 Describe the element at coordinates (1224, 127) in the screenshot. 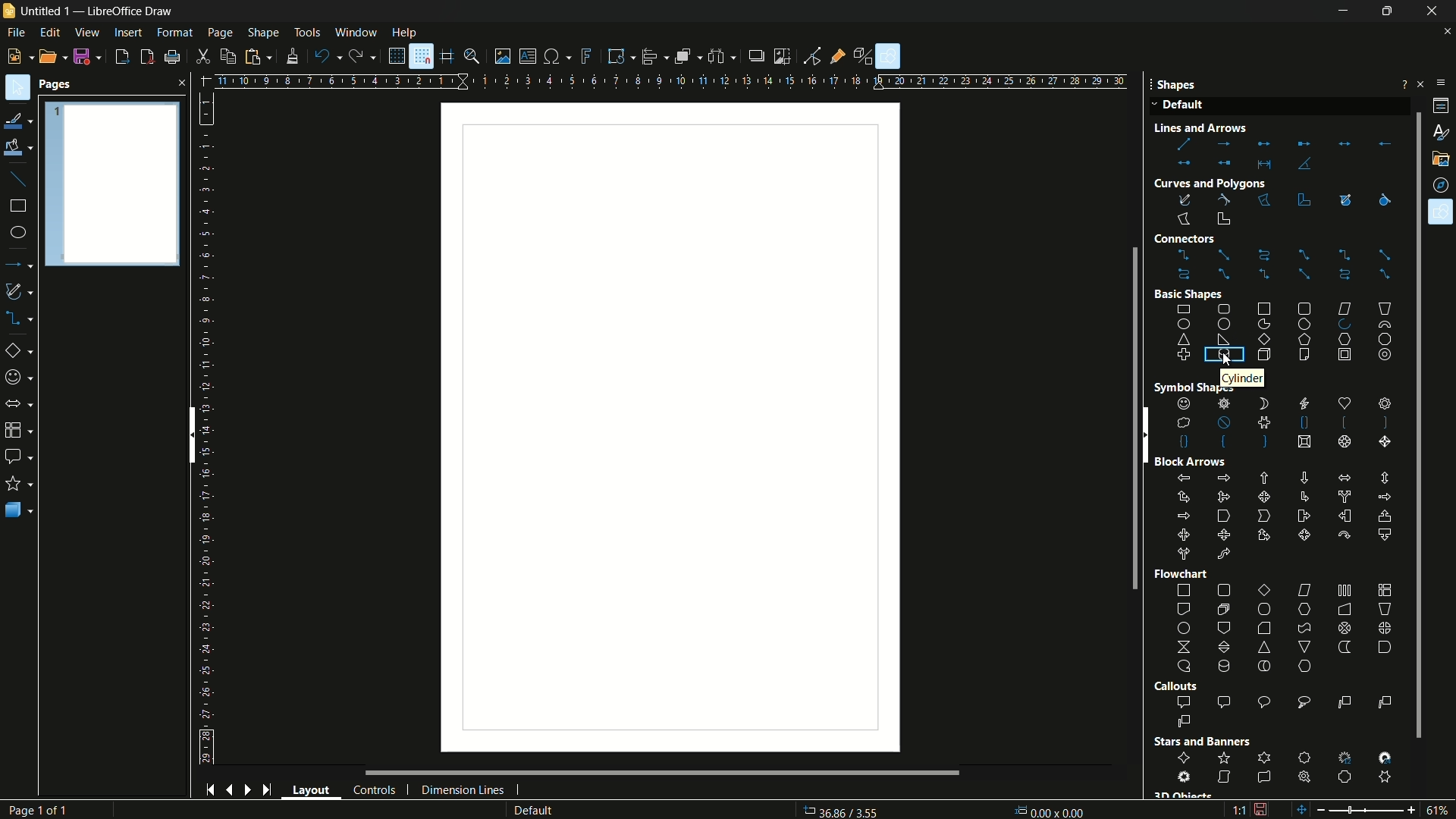

I see `Line and Arrow` at that location.